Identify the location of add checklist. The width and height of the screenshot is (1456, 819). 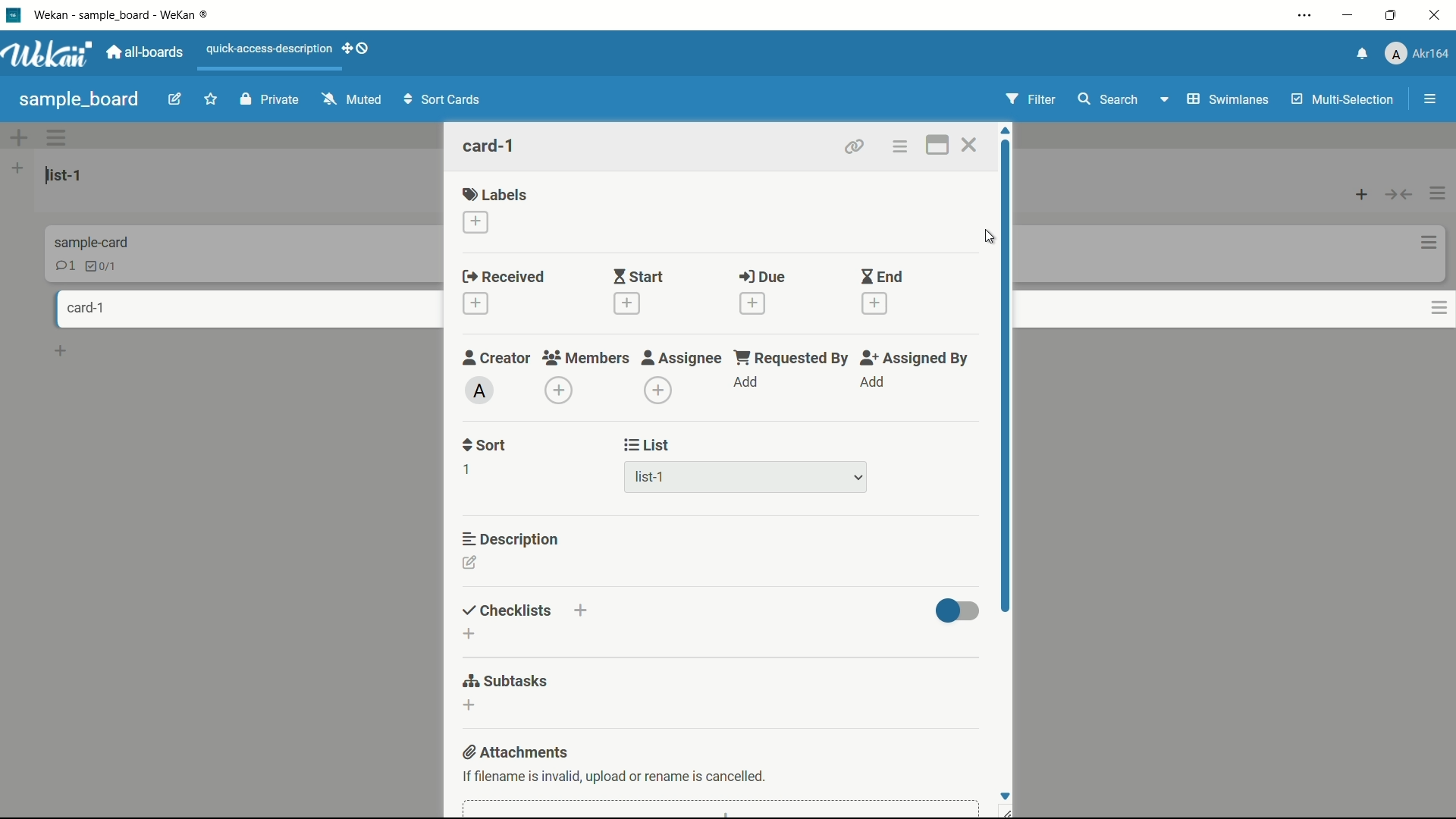
(580, 613).